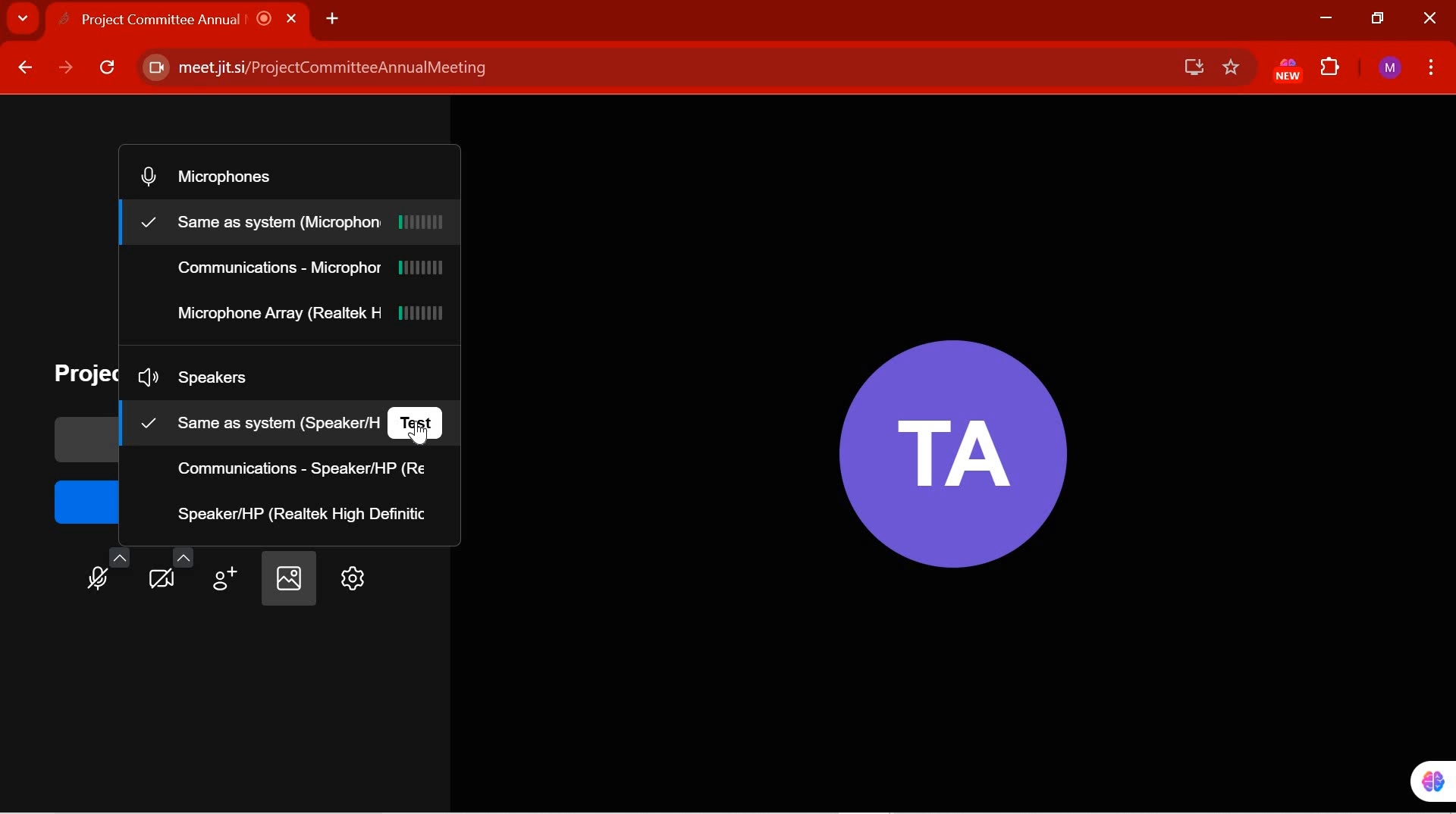 The width and height of the screenshot is (1456, 814). What do you see at coordinates (23, 20) in the screenshot?
I see `SEARCH TABS` at bounding box center [23, 20].